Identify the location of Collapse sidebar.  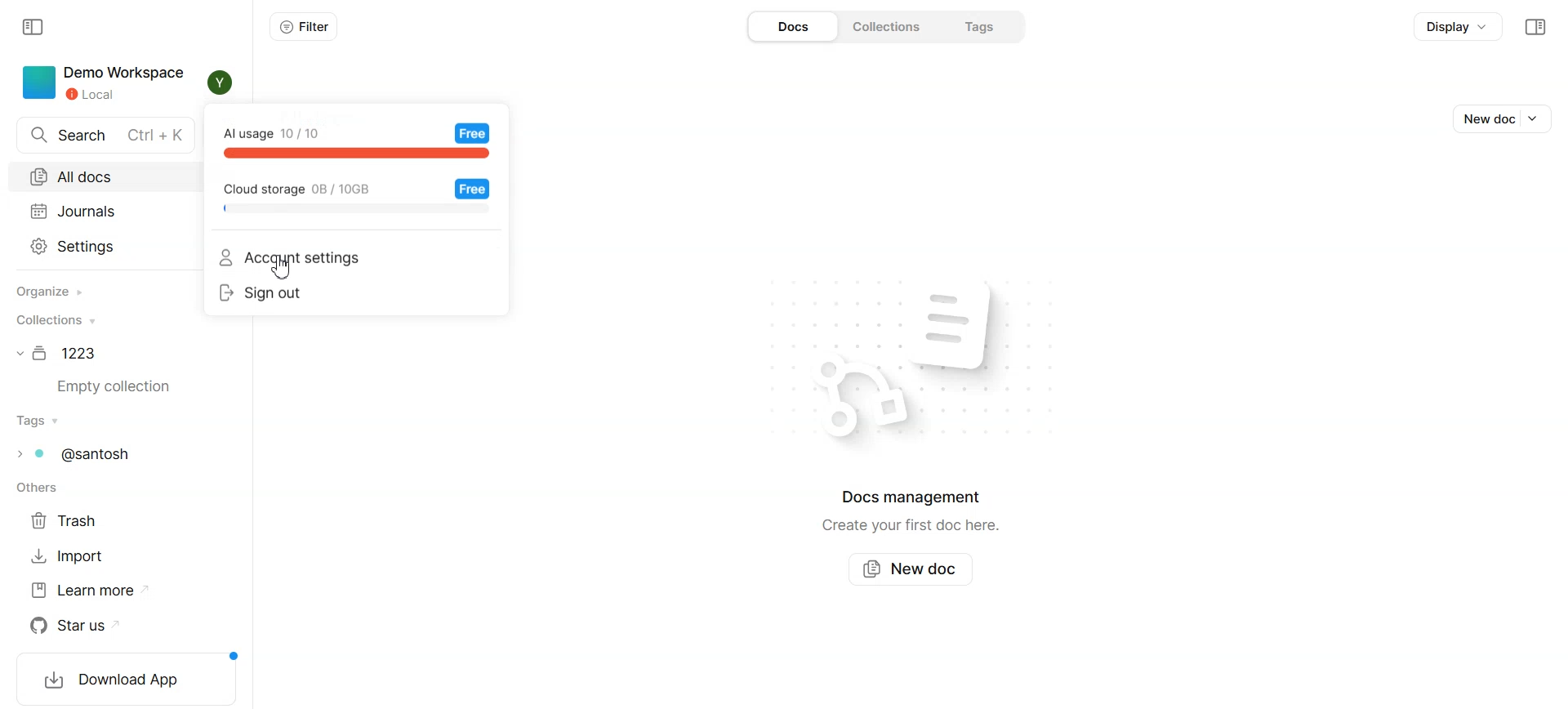
(1535, 27).